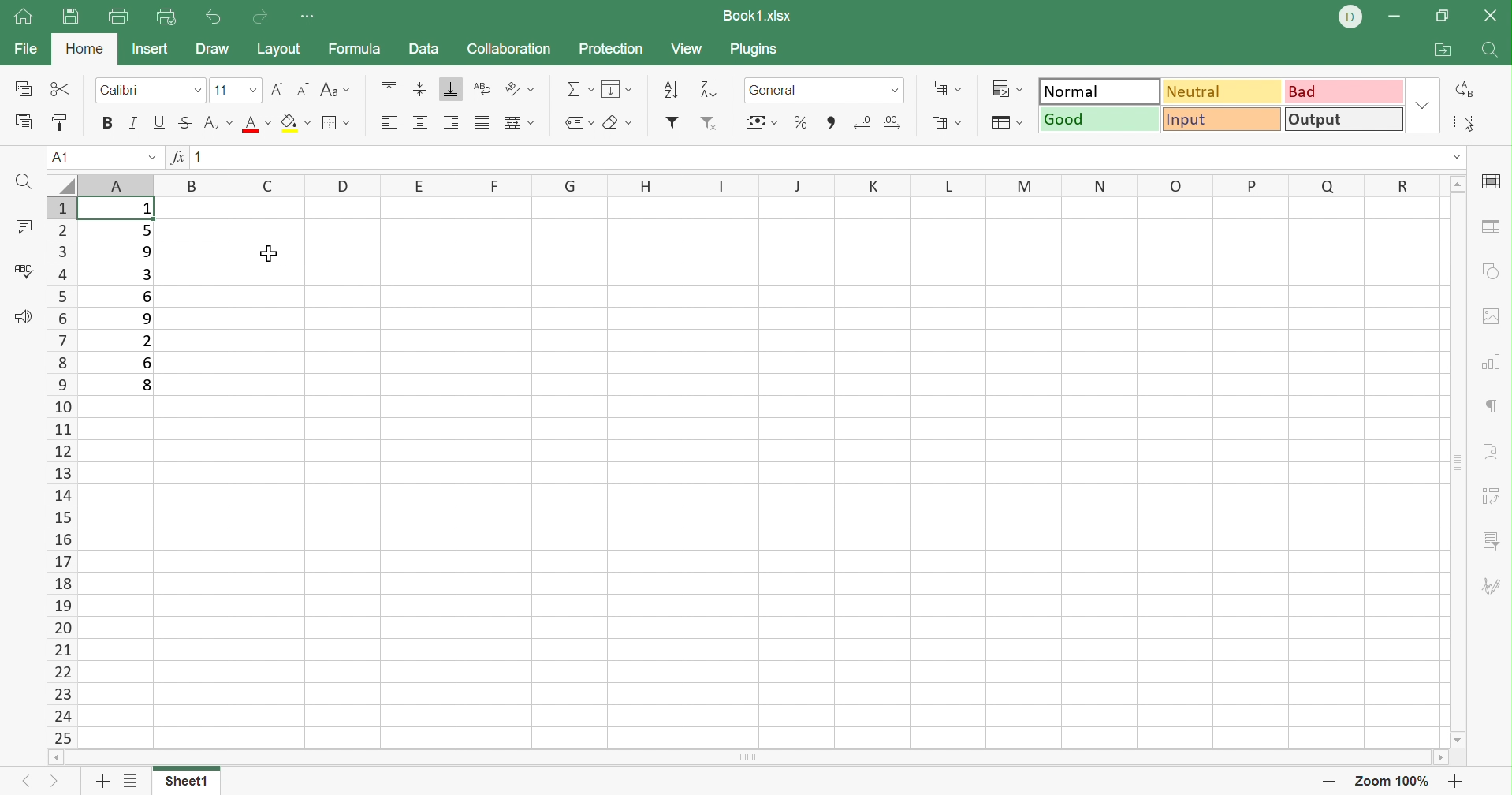  What do you see at coordinates (123, 90) in the screenshot?
I see `Calibri` at bounding box center [123, 90].